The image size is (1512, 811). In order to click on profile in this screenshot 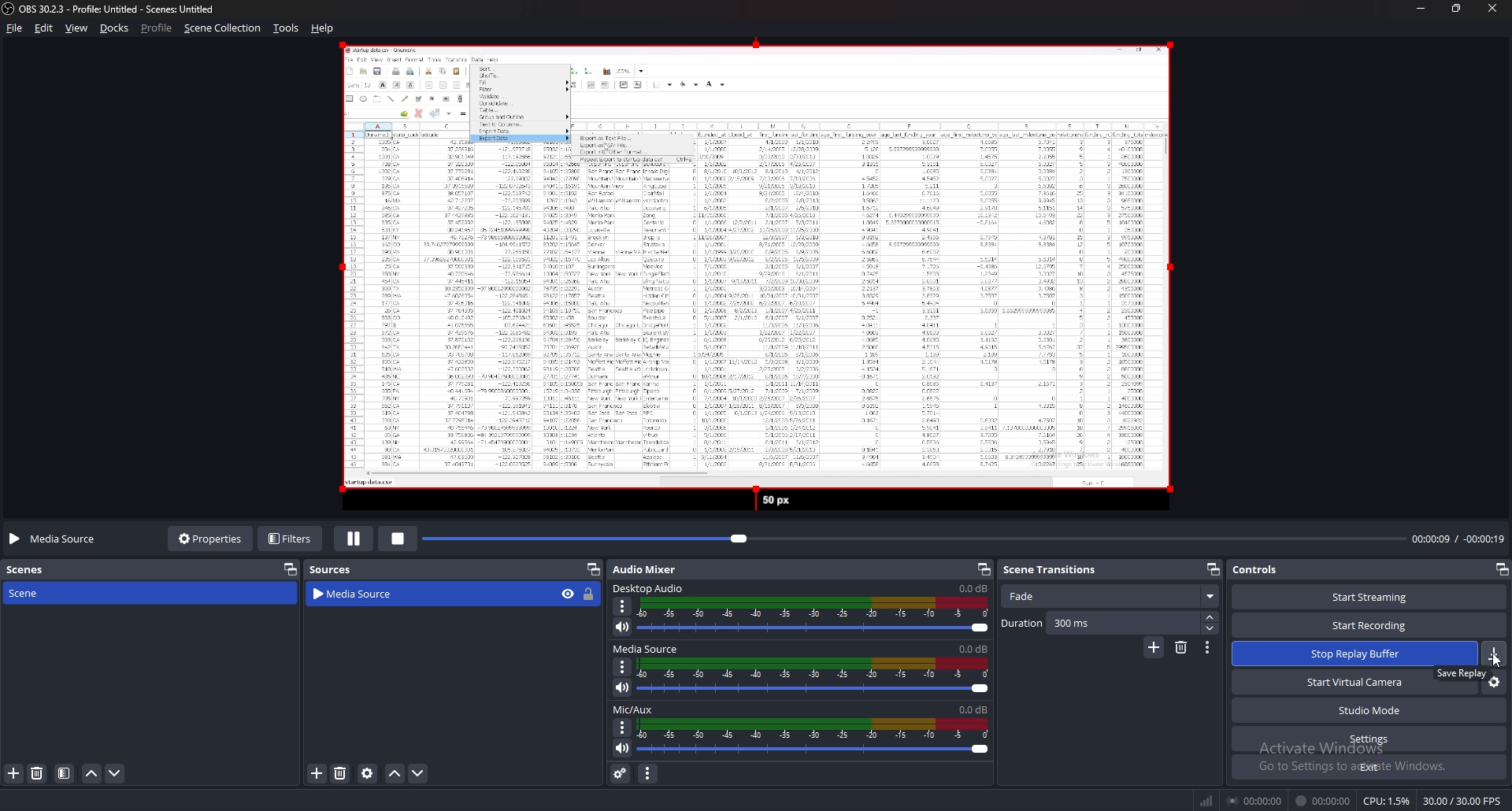, I will do `click(157, 28)`.